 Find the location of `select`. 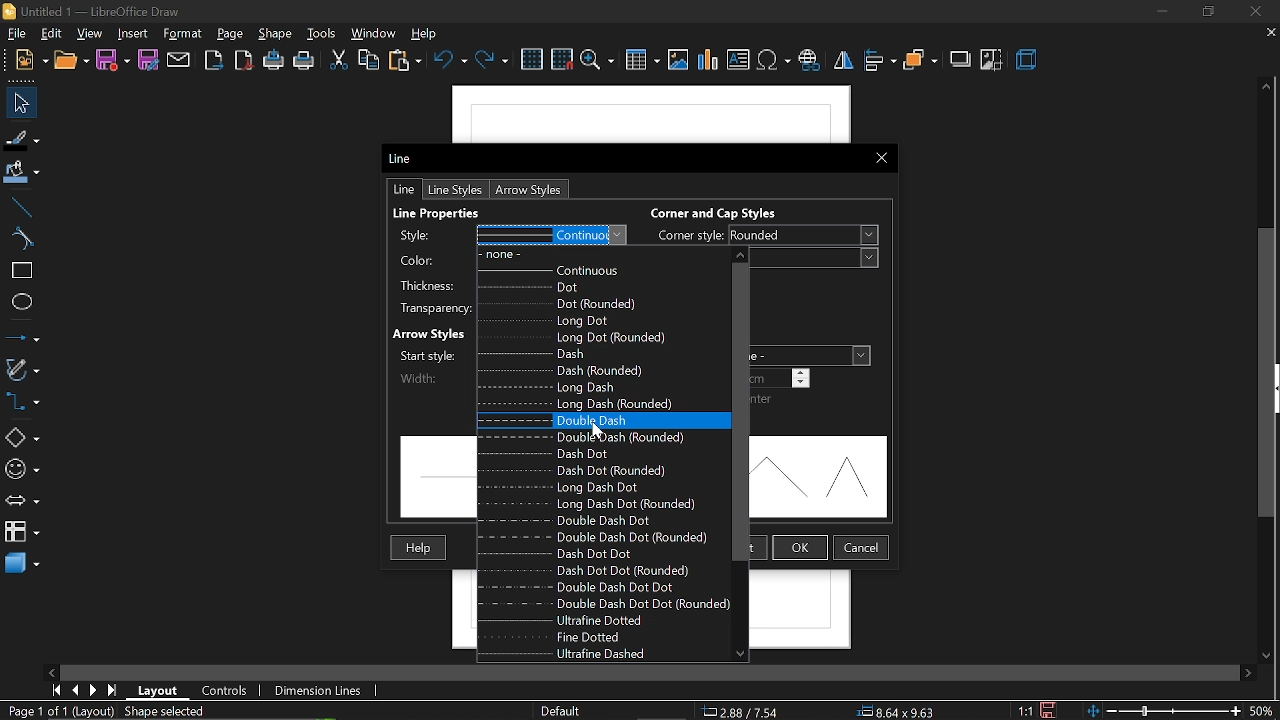

select is located at coordinates (19, 104).